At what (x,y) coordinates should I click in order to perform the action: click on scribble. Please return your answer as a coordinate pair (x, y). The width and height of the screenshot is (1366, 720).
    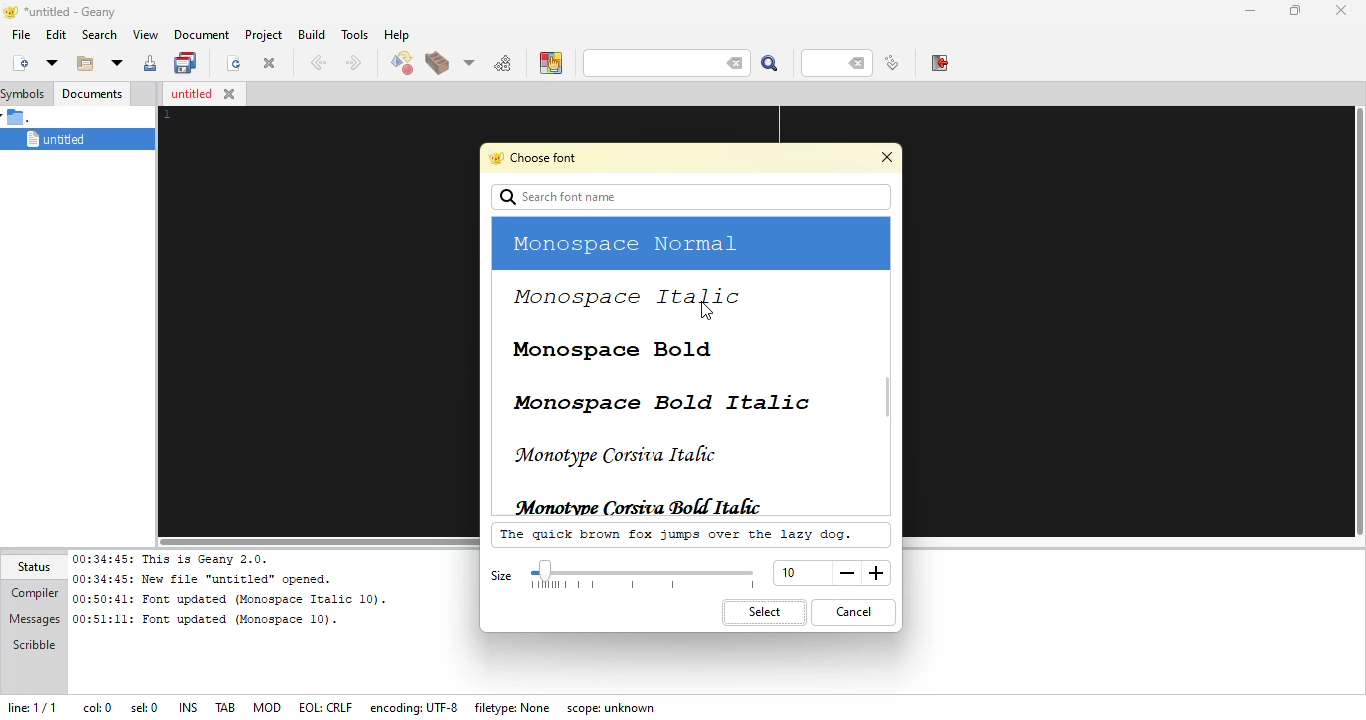
    Looking at the image, I should click on (31, 647).